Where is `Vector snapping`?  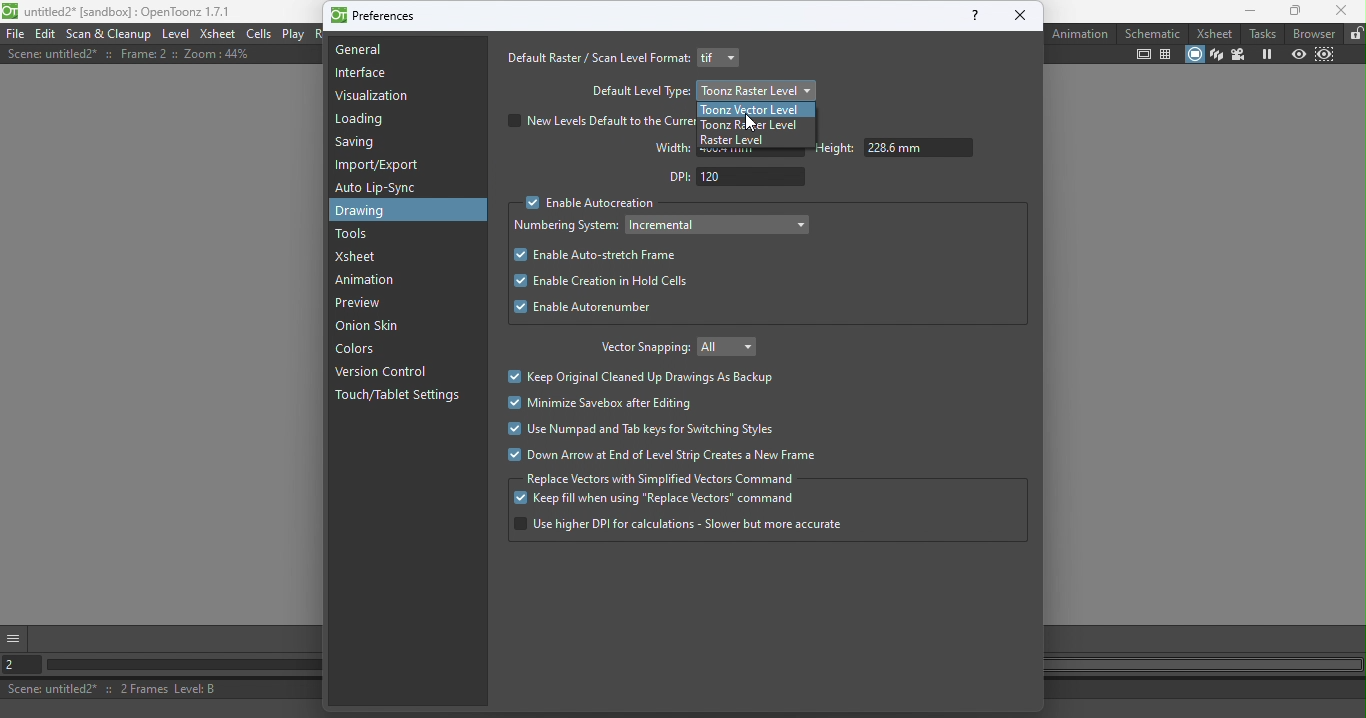
Vector snapping is located at coordinates (641, 349).